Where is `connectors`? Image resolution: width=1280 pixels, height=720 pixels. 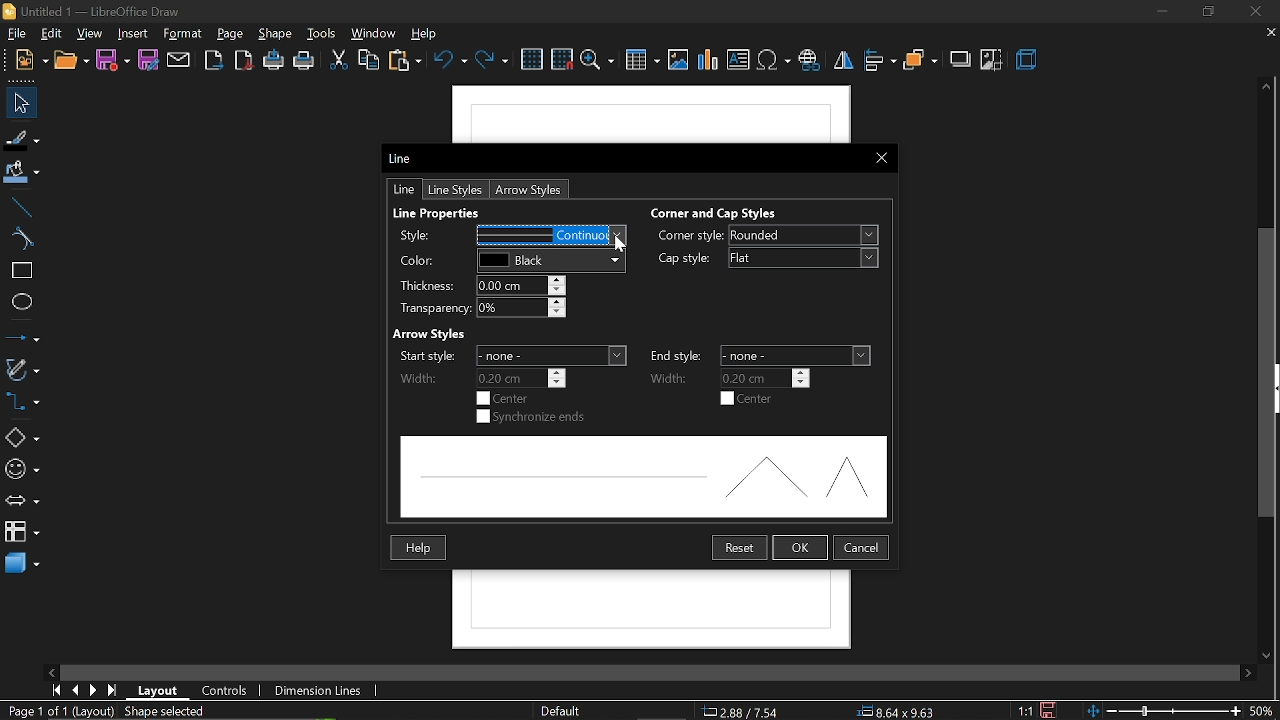 connectors is located at coordinates (24, 402).